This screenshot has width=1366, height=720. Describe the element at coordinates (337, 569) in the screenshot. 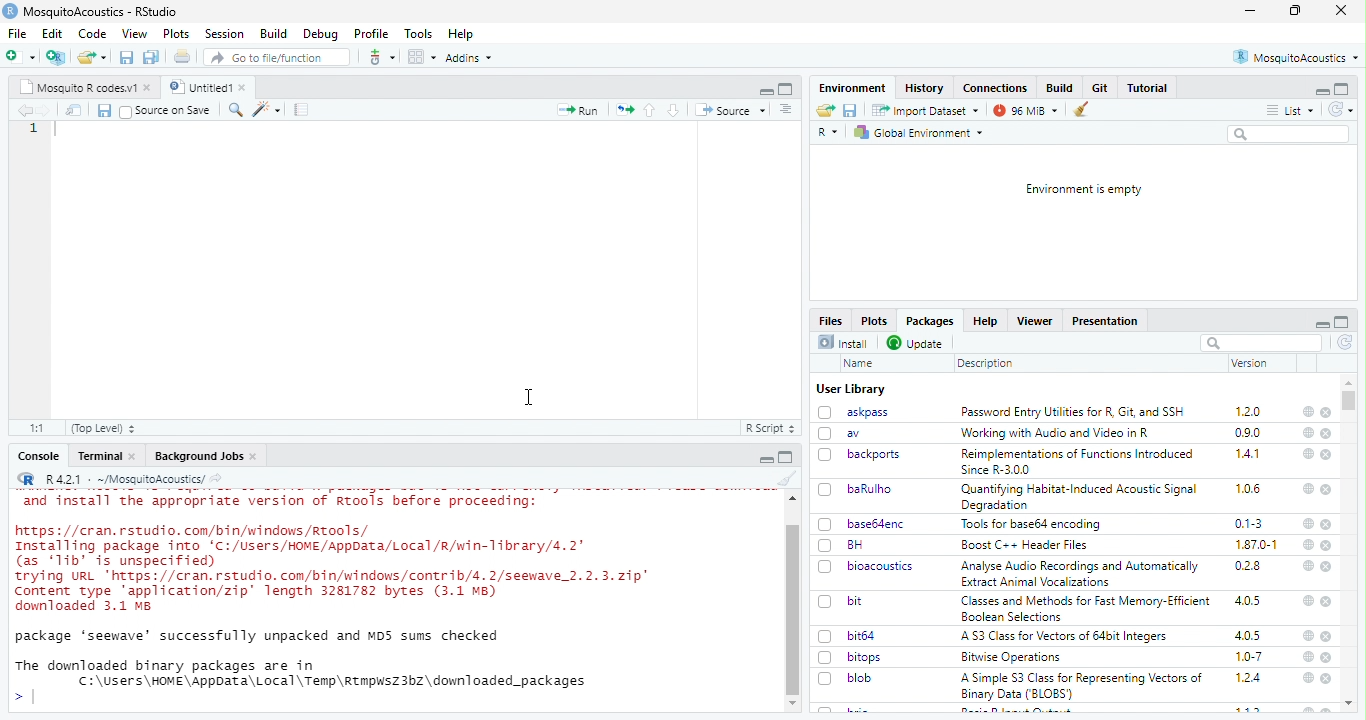

I see `https: //cran.rstudio. com/bin/windows/Rtools/ Installing package into 'C:/Users/HOME/appData/Local /R/win-ibrary/4.2"(as ‘1ib’ is unspecified) trying URL "https: //cran.rstudio. con/bin/windows/contrib/4.2/seewave_2.2.3.2ip "Content type 'application/zip’ length 3281782 bytes (3.1 M8)downloaded 3.1 MB` at that location.